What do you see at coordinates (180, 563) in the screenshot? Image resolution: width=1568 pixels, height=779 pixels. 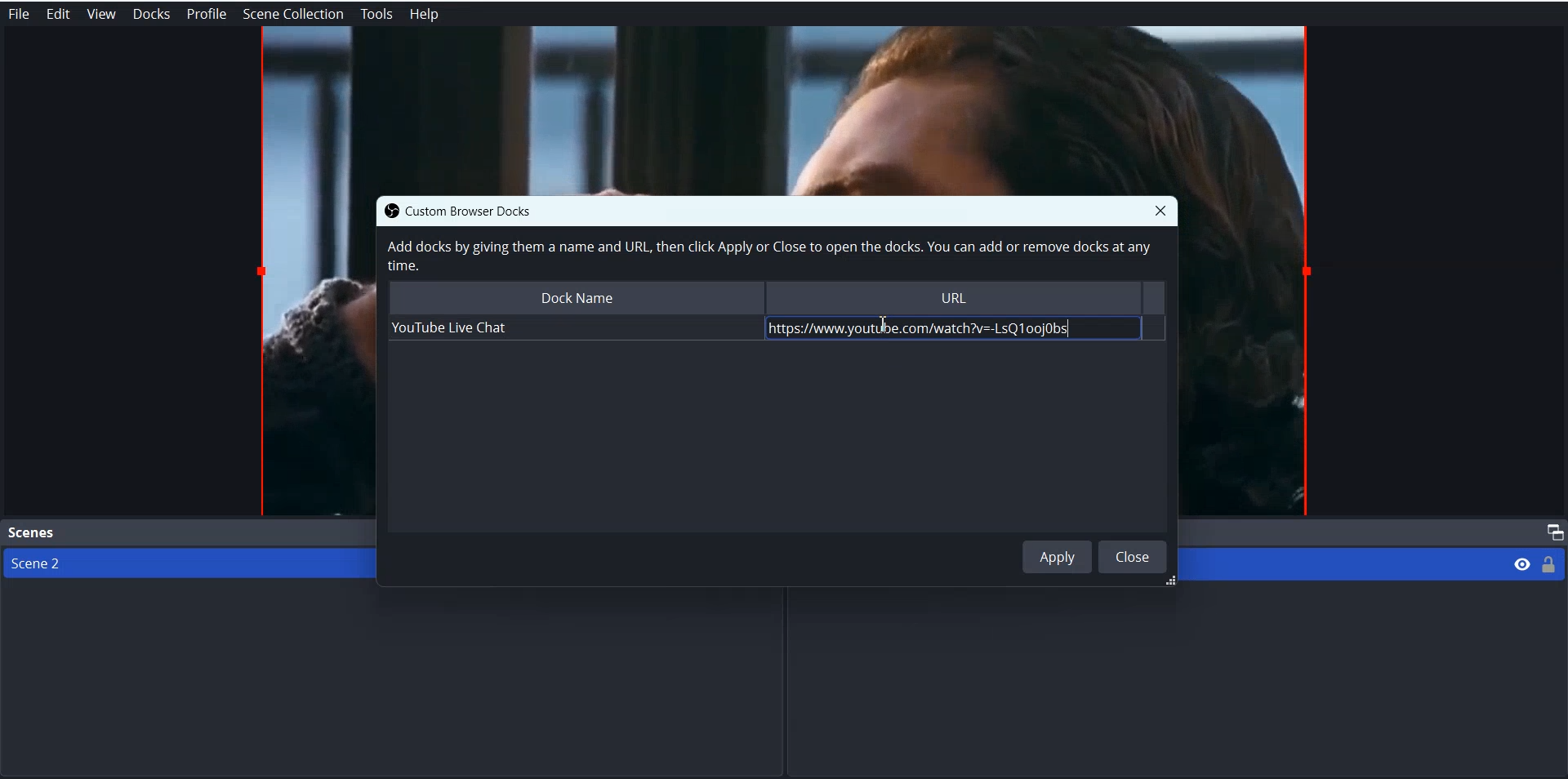 I see `Scene 2` at bounding box center [180, 563].